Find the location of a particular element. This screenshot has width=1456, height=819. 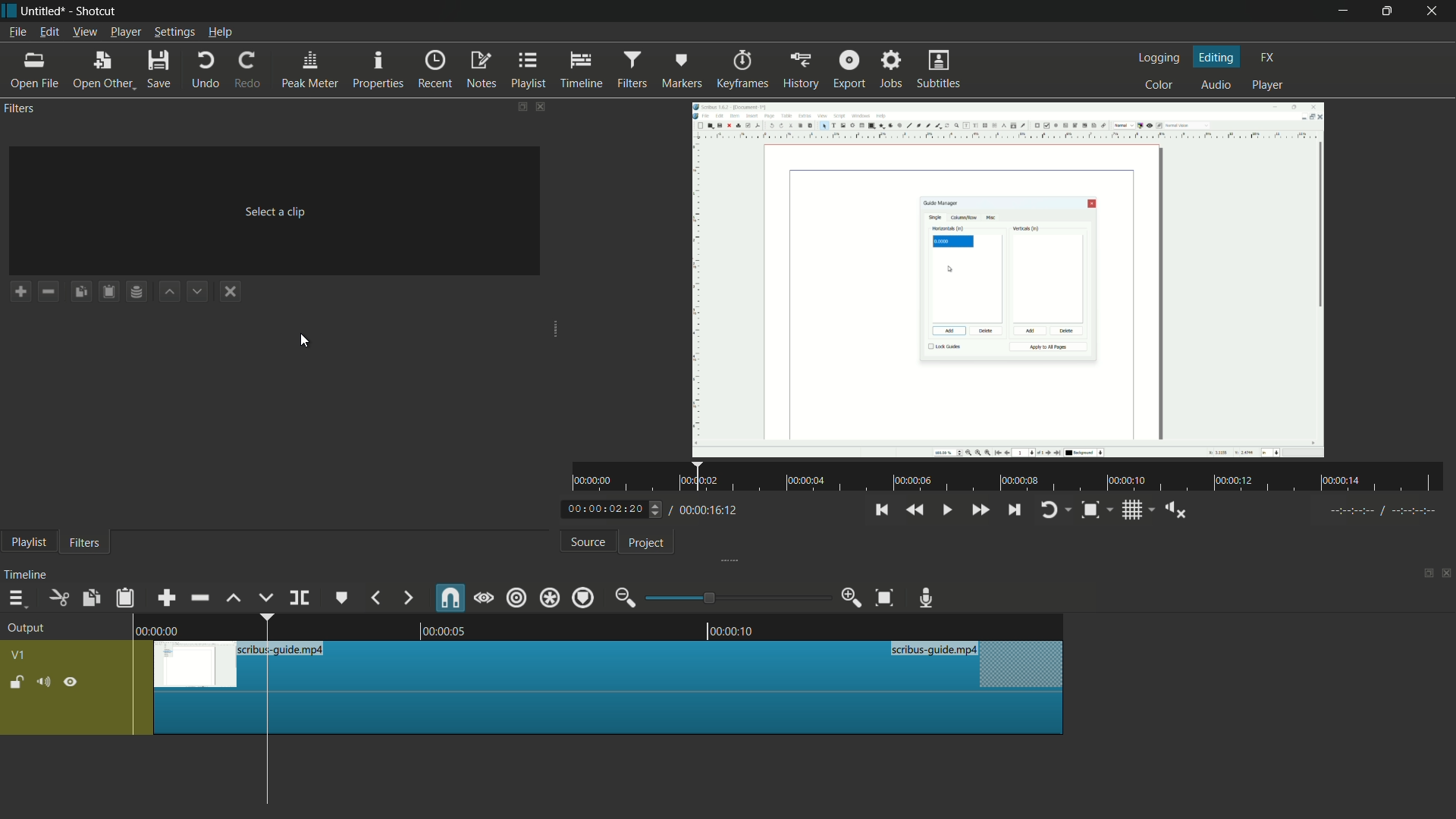

create or edit marker is located at coordinates (344, 597).